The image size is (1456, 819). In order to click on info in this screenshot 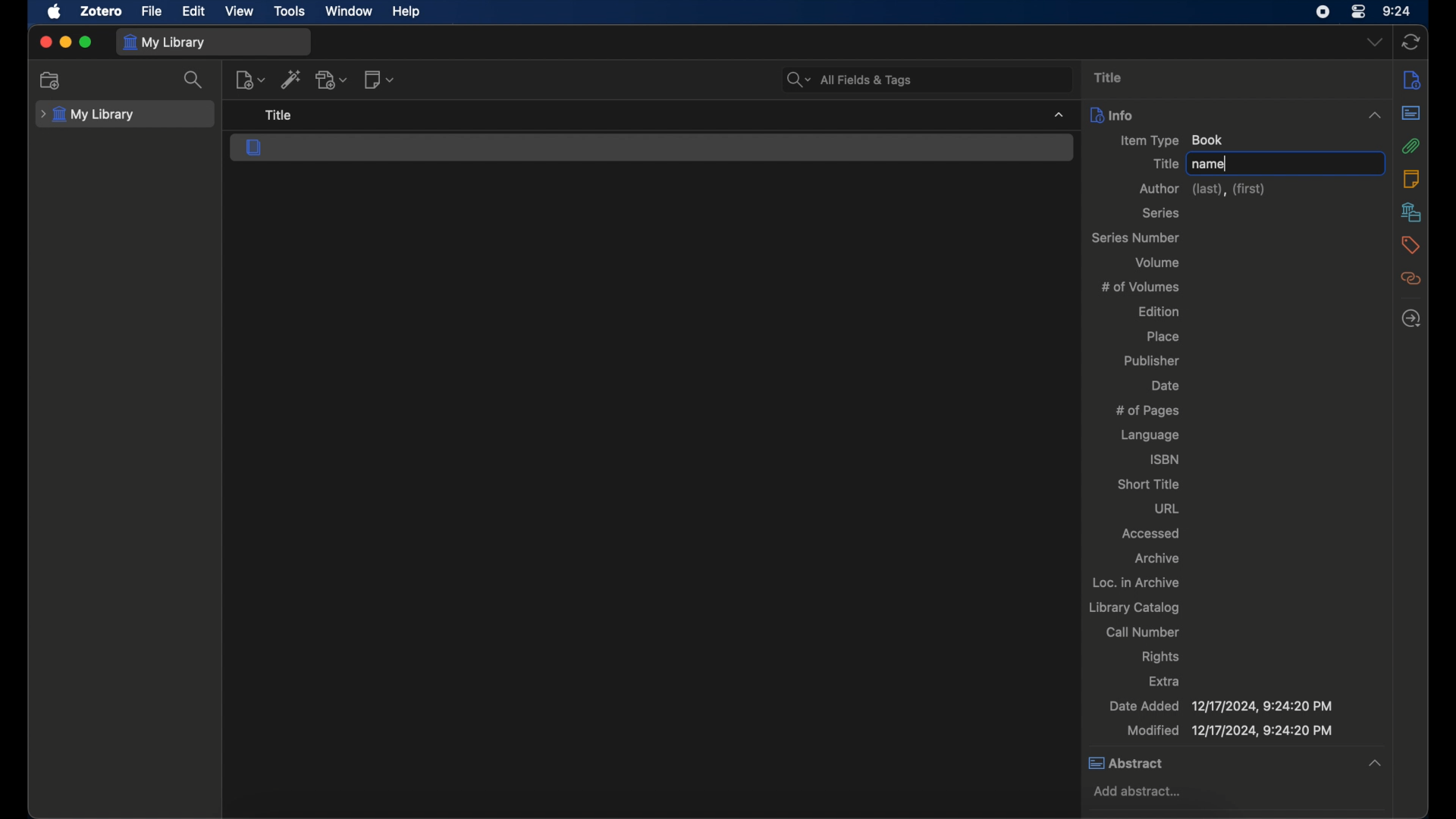, I will do `click(1111, 115)`.